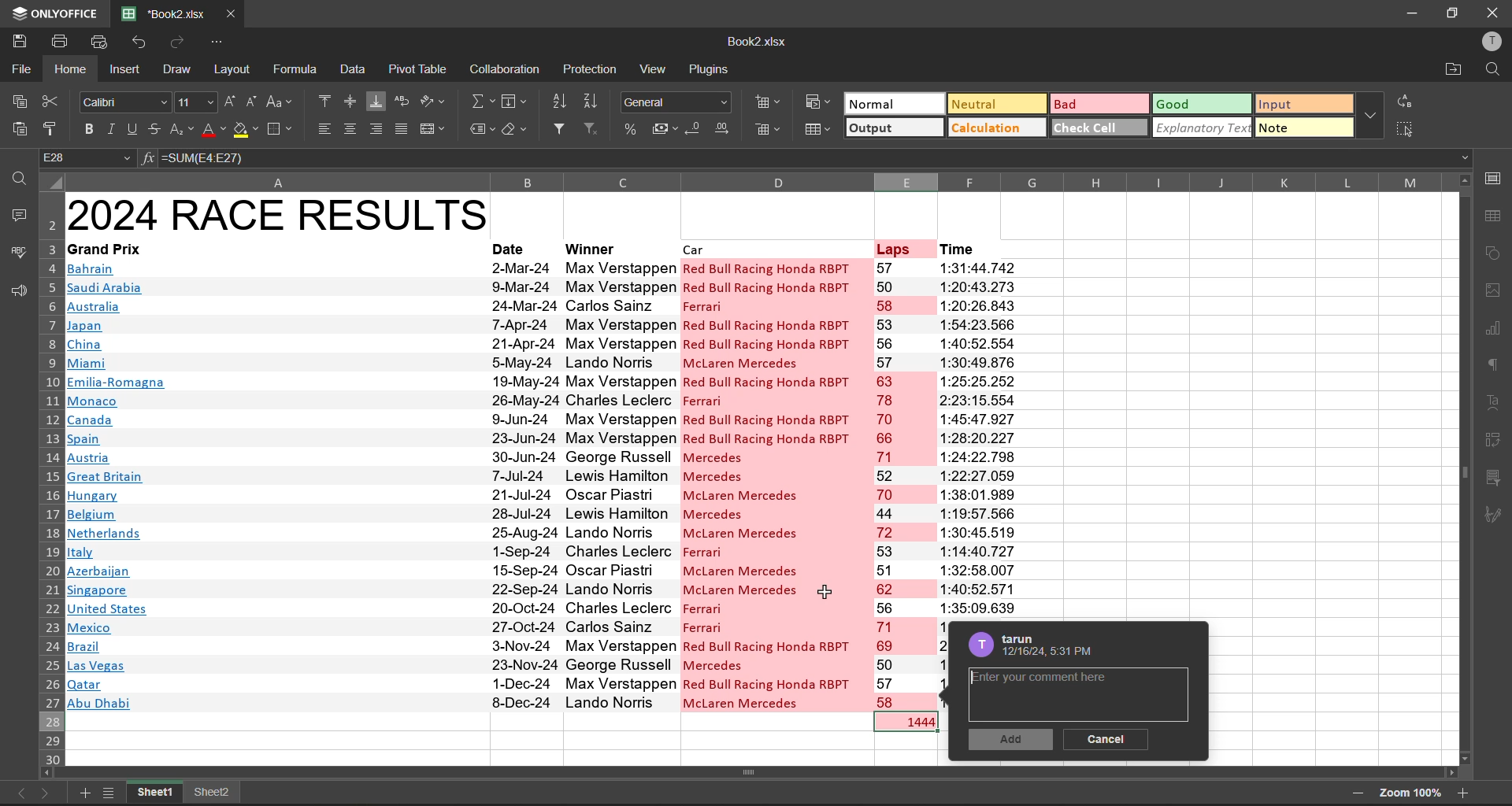 The height and width of the screenshot is (806, 1512). I want to click on increment size, so click(231, 102).